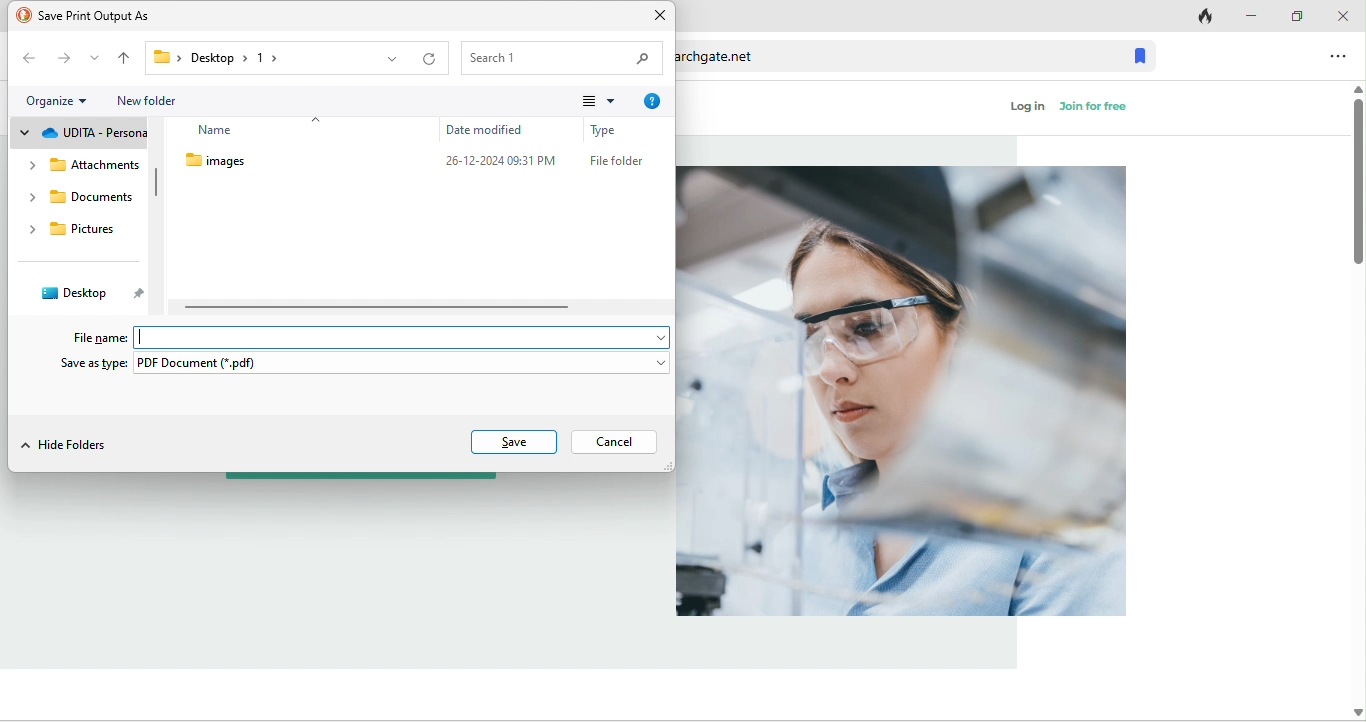  I want to click on images, so click(247, 161).